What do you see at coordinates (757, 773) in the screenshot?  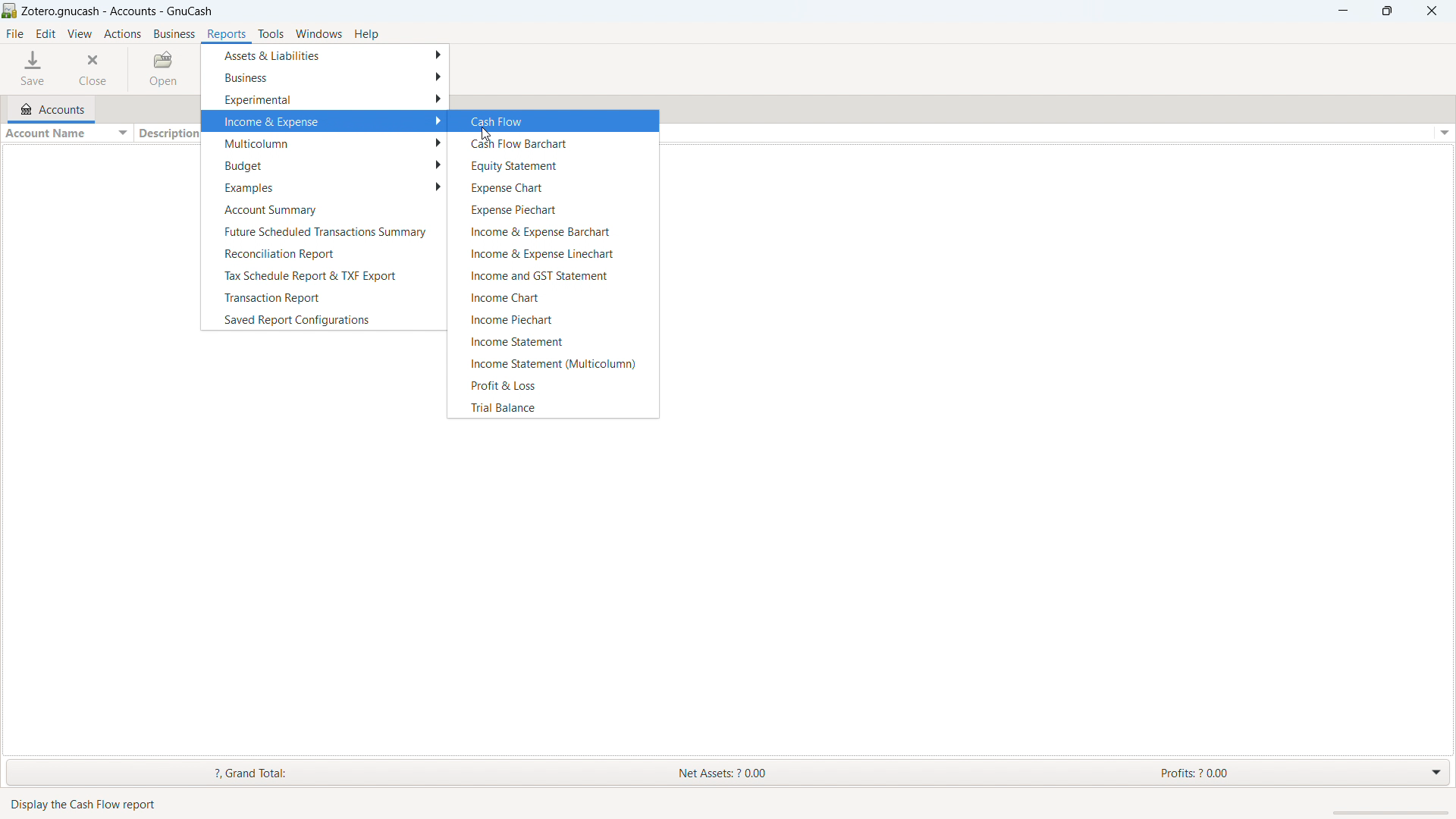 I see `net assets` at bounding box center [757, 773].